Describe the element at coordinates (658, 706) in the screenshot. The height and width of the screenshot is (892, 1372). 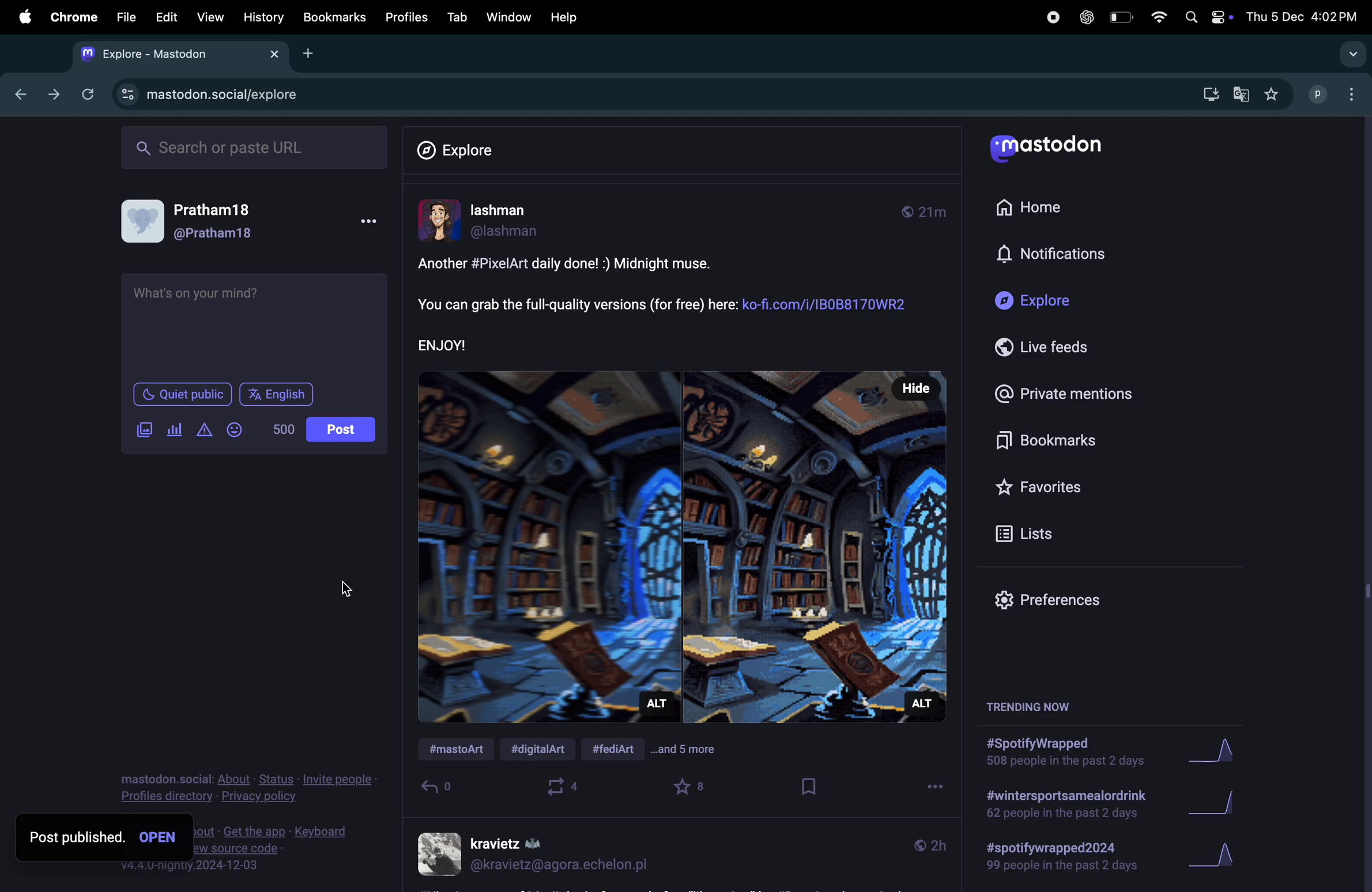
I see `Alt description` at that location.